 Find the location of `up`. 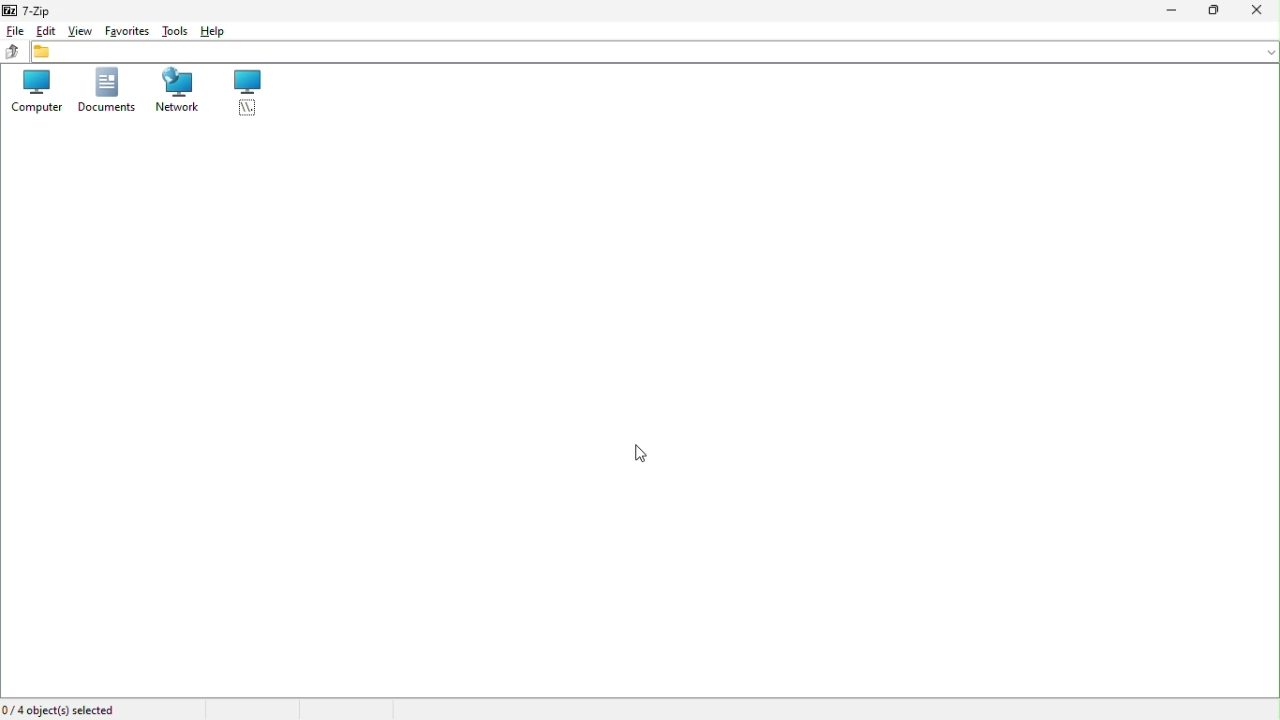

up is located at coordinates (13, 50).